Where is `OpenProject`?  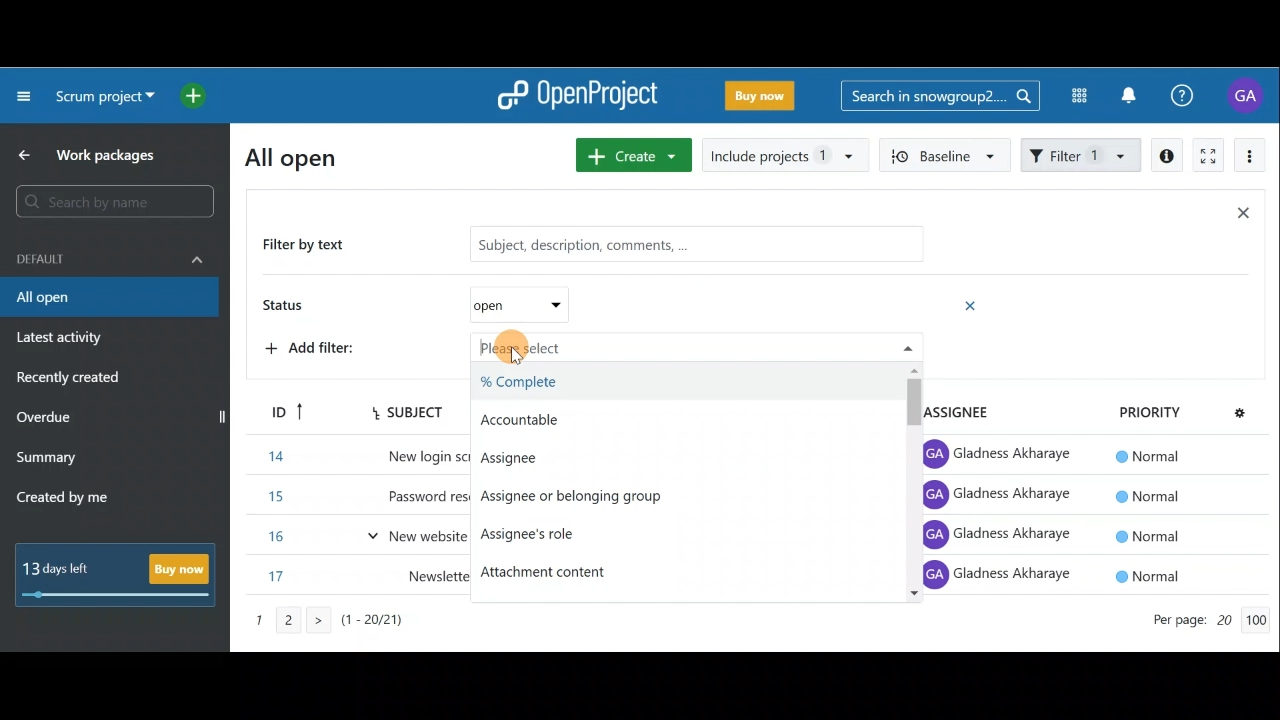
OpenProject is located at coordinates (578, 99).